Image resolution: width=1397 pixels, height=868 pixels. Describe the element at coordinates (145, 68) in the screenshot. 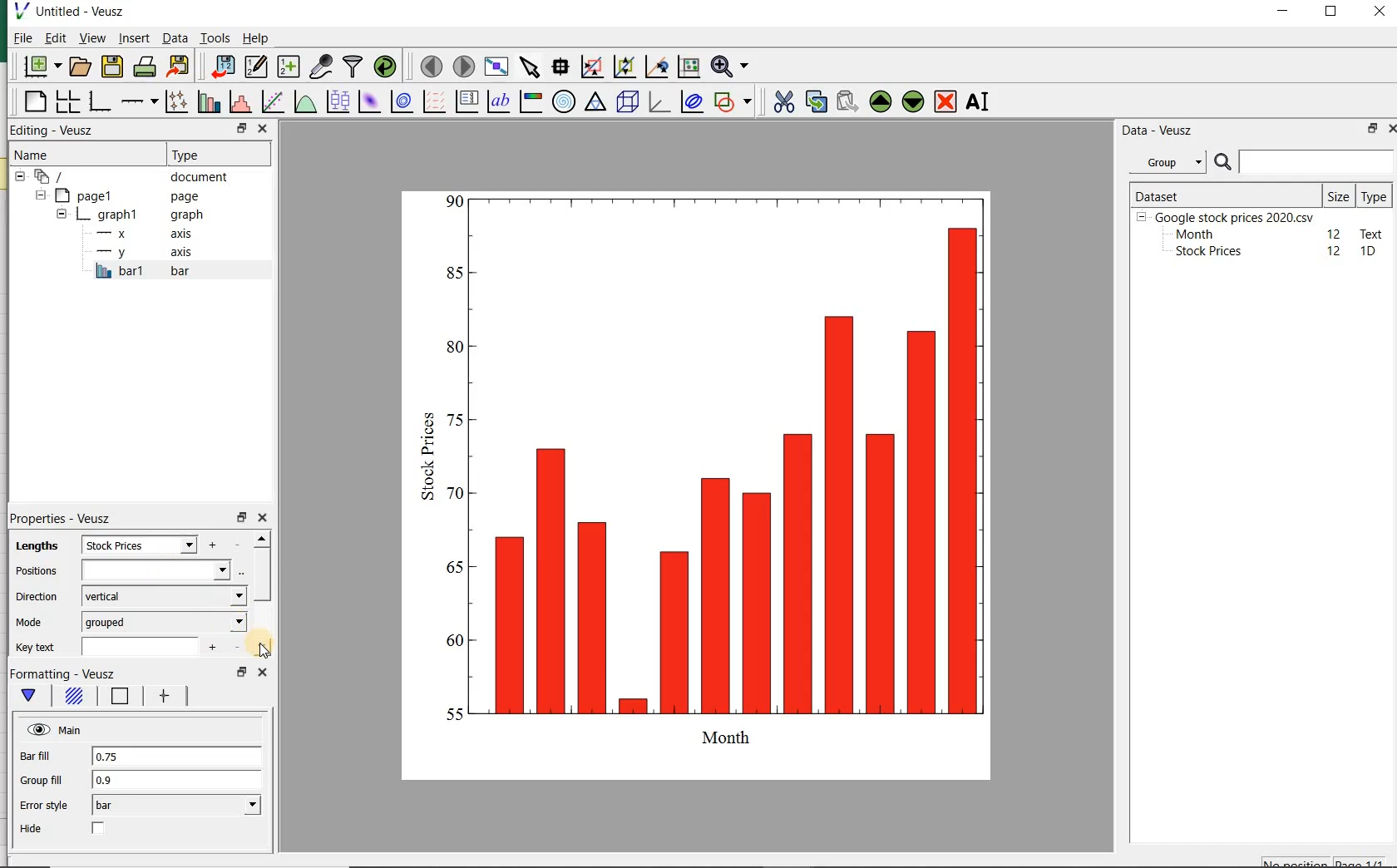

I see `print the document` at that location.